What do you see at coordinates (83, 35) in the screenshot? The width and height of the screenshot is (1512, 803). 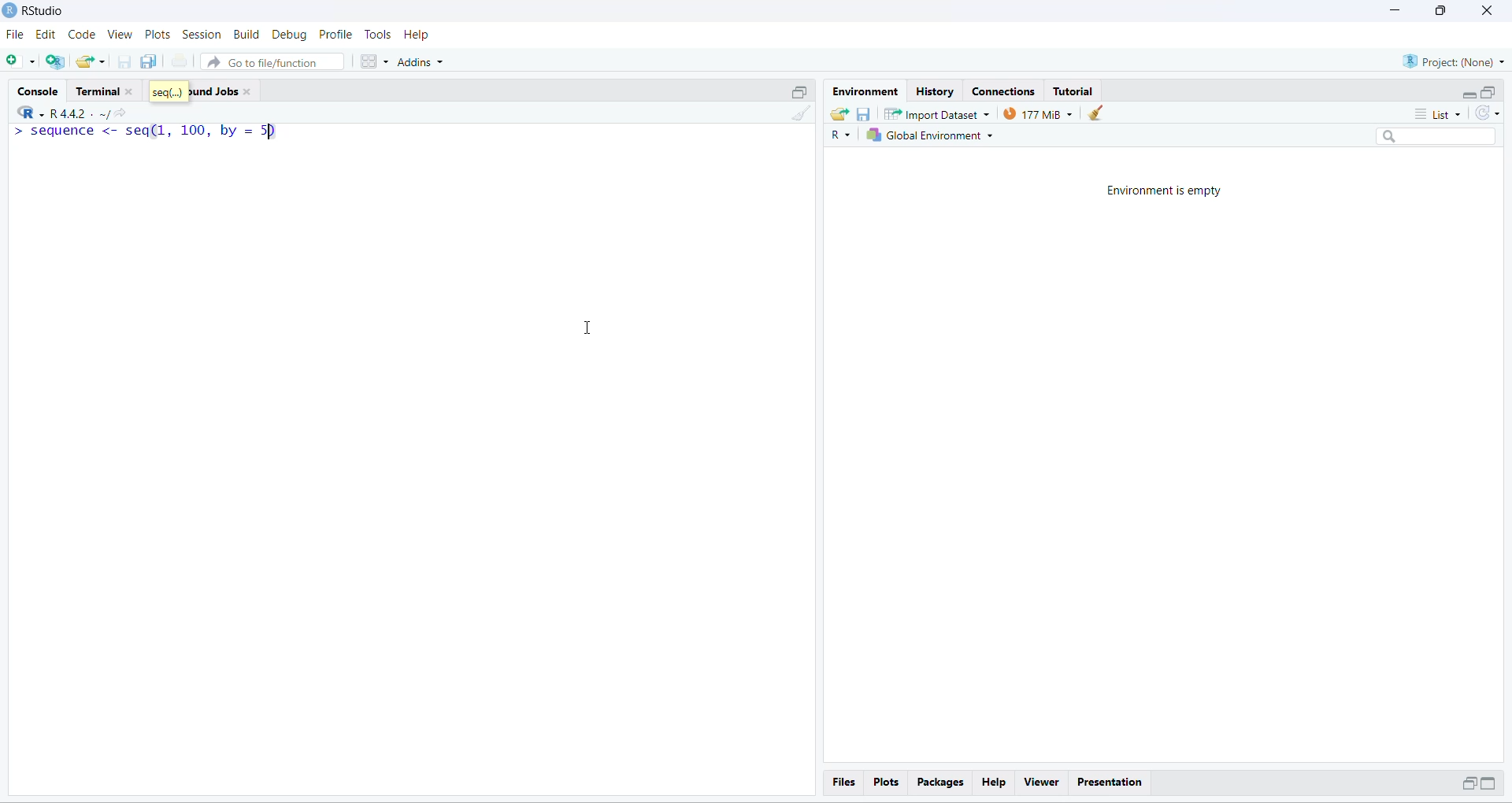 I see `code` at bounding box center [83, 35].